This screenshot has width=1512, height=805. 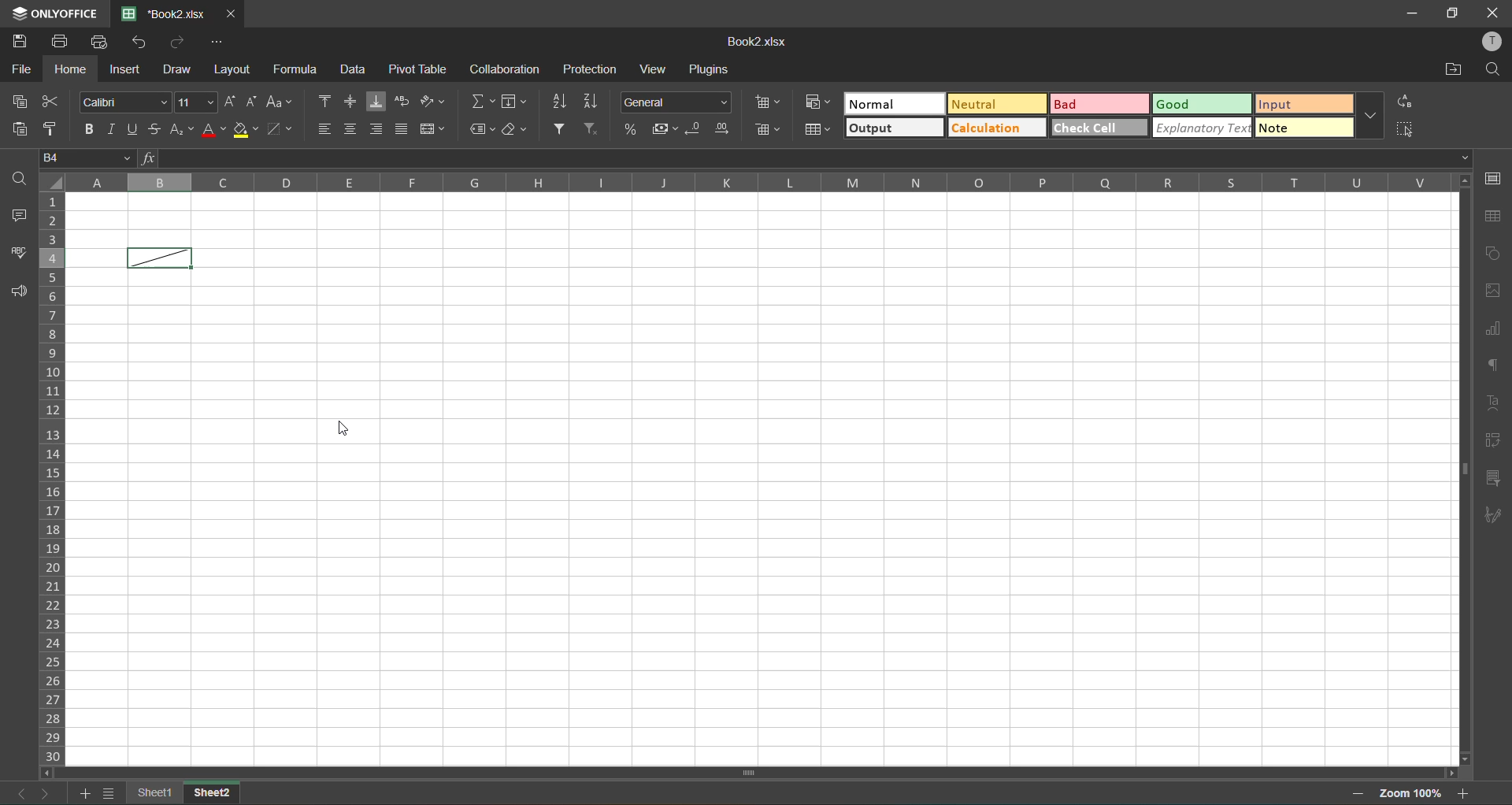 What do you see at coordinates (56, 102) in the screenshot?
I see `cut` at bounding box center [56, 102].